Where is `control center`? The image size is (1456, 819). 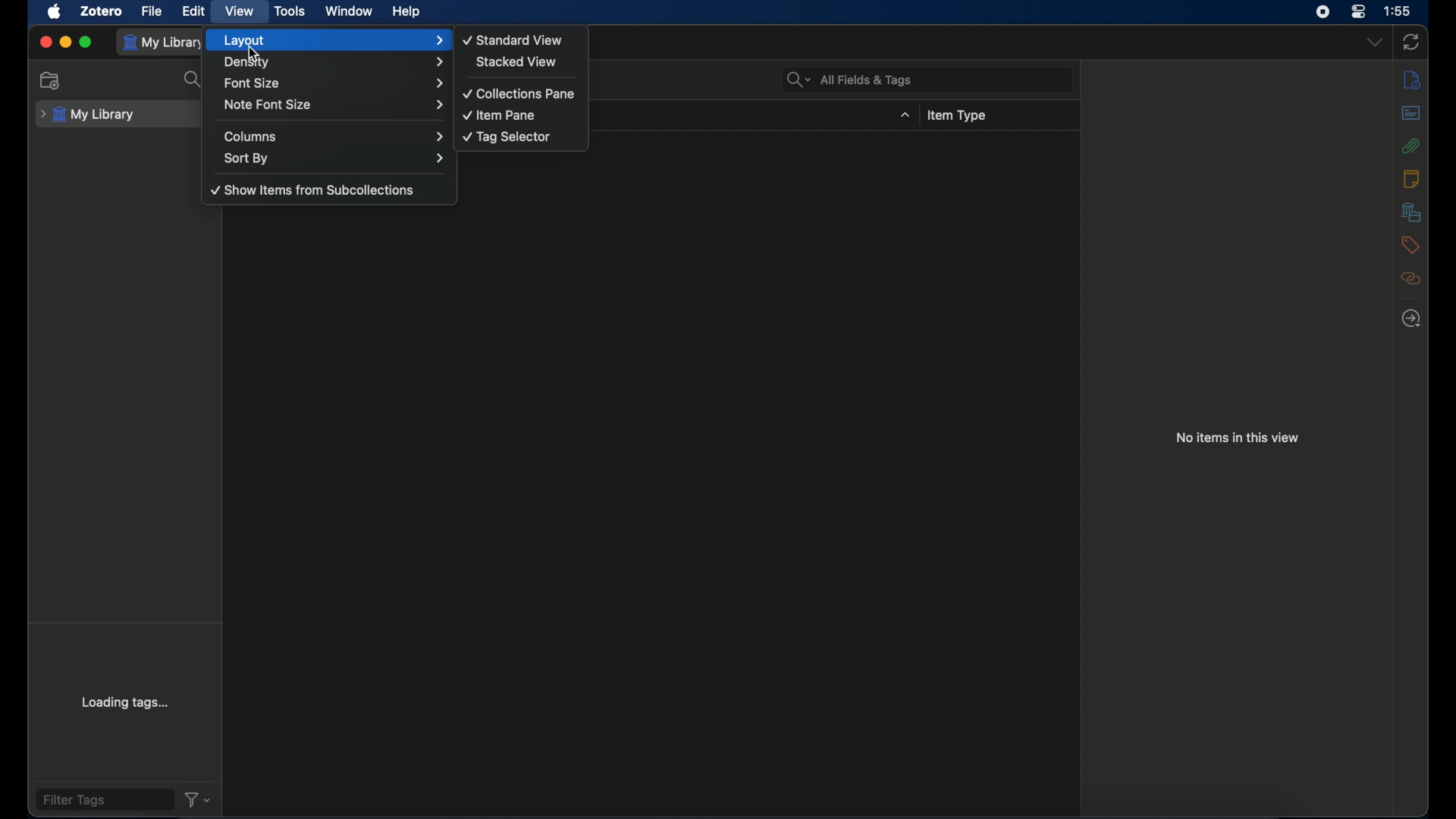
control center is located at coordinates (1359, 12).